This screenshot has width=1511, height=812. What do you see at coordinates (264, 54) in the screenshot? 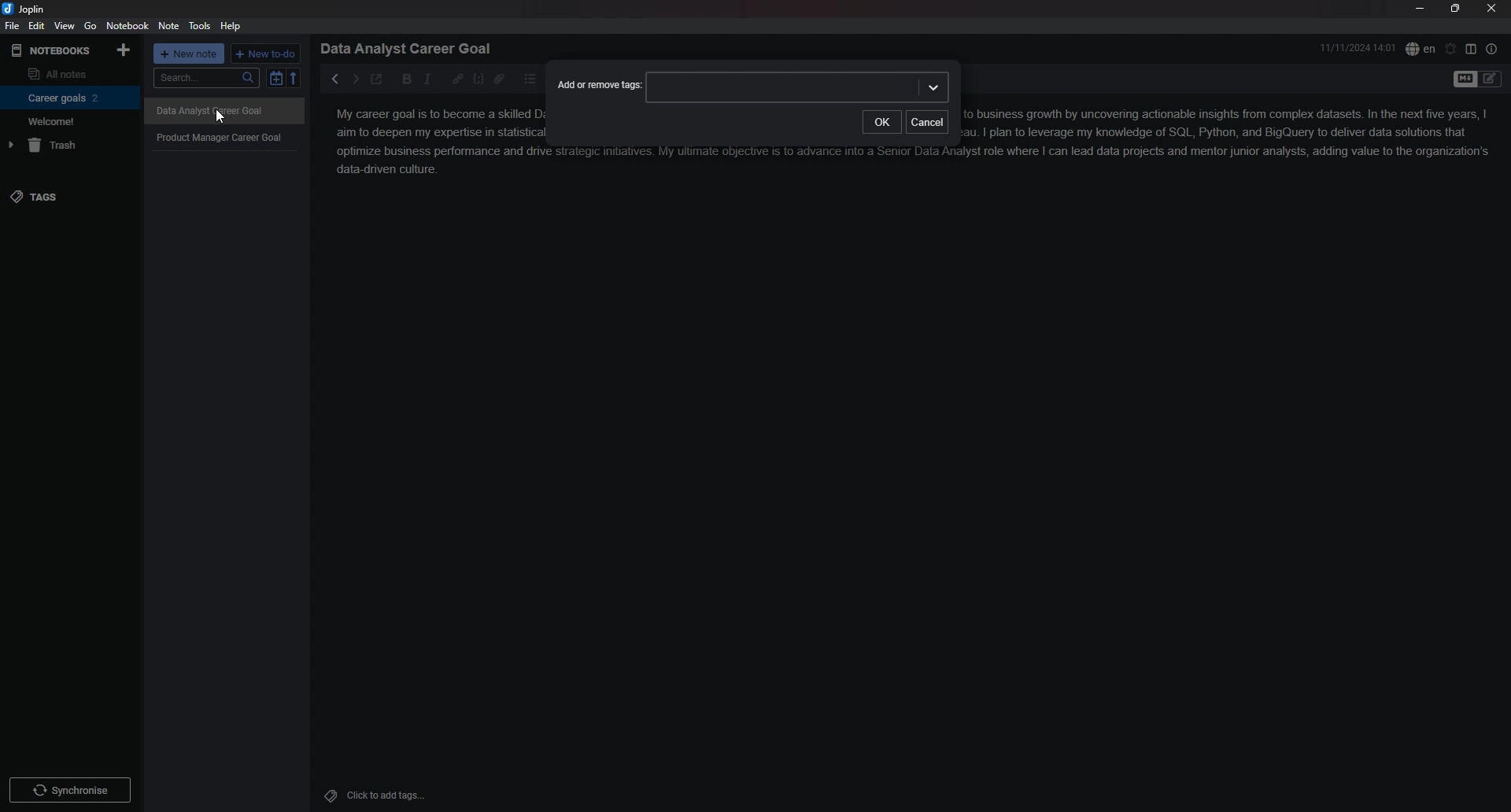
I see `+ new to do` at bounding box center [264, 54].